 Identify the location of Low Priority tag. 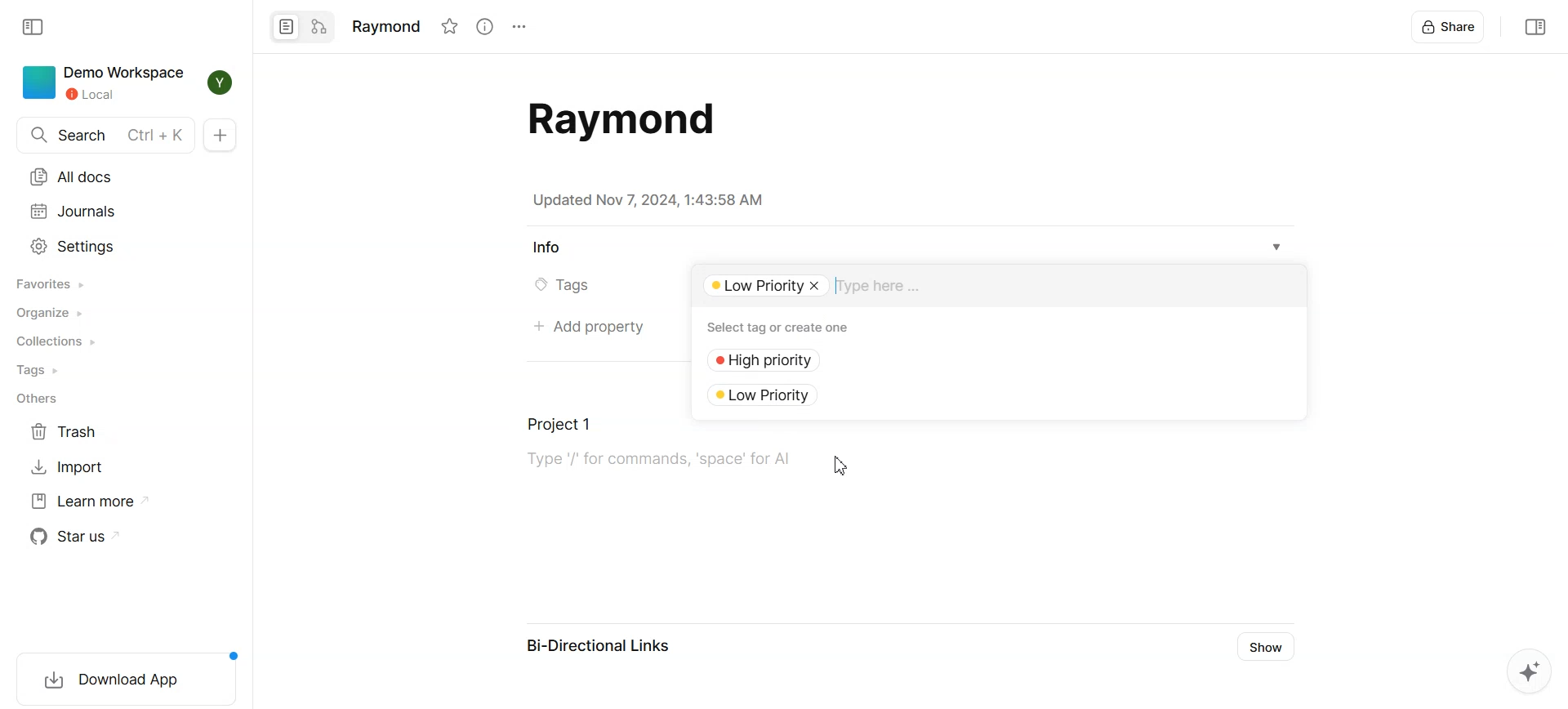
(773, 394).